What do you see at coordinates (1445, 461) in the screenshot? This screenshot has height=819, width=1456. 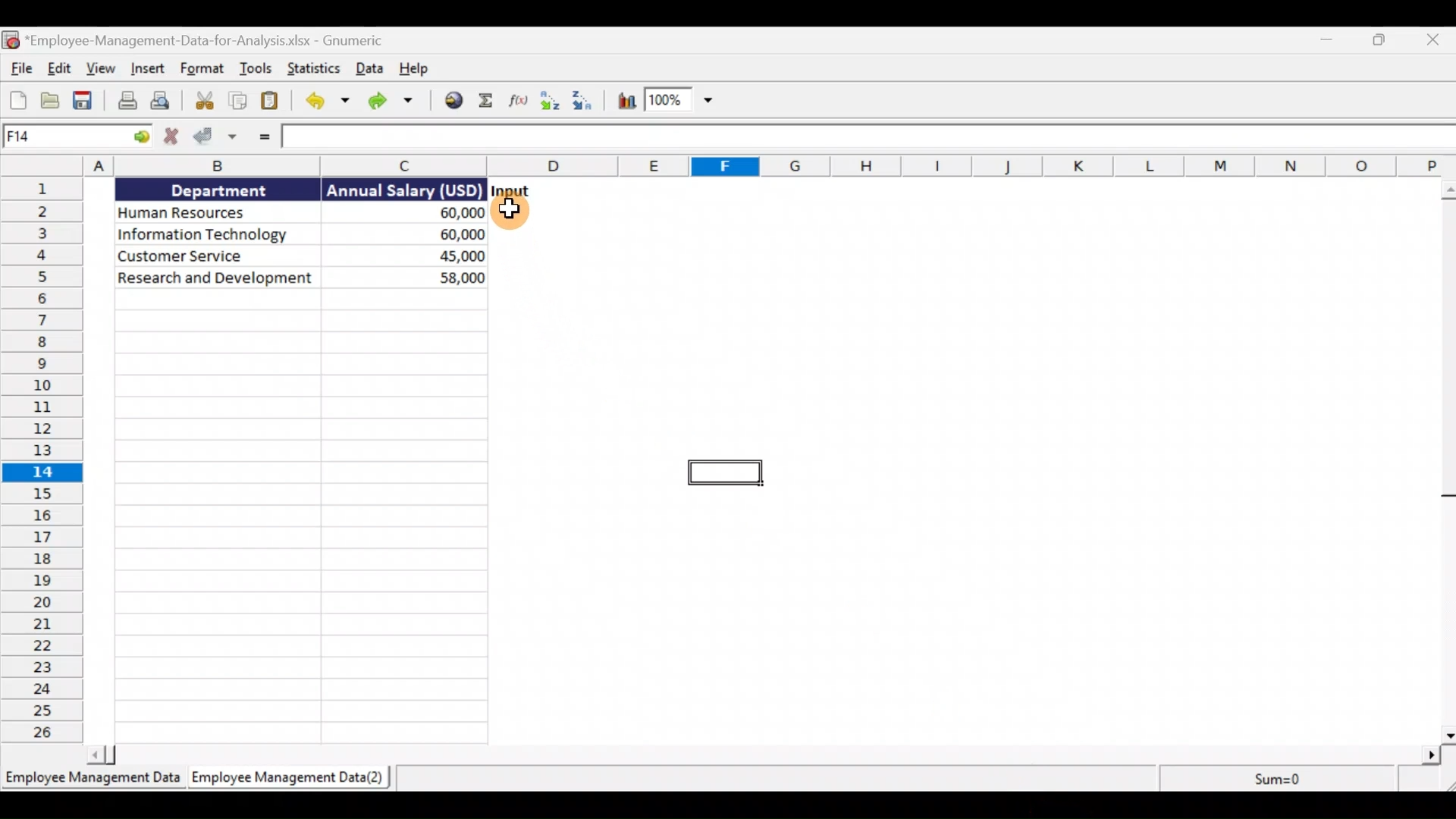 I see `scroll bar` at bounding box center [1445, 461].